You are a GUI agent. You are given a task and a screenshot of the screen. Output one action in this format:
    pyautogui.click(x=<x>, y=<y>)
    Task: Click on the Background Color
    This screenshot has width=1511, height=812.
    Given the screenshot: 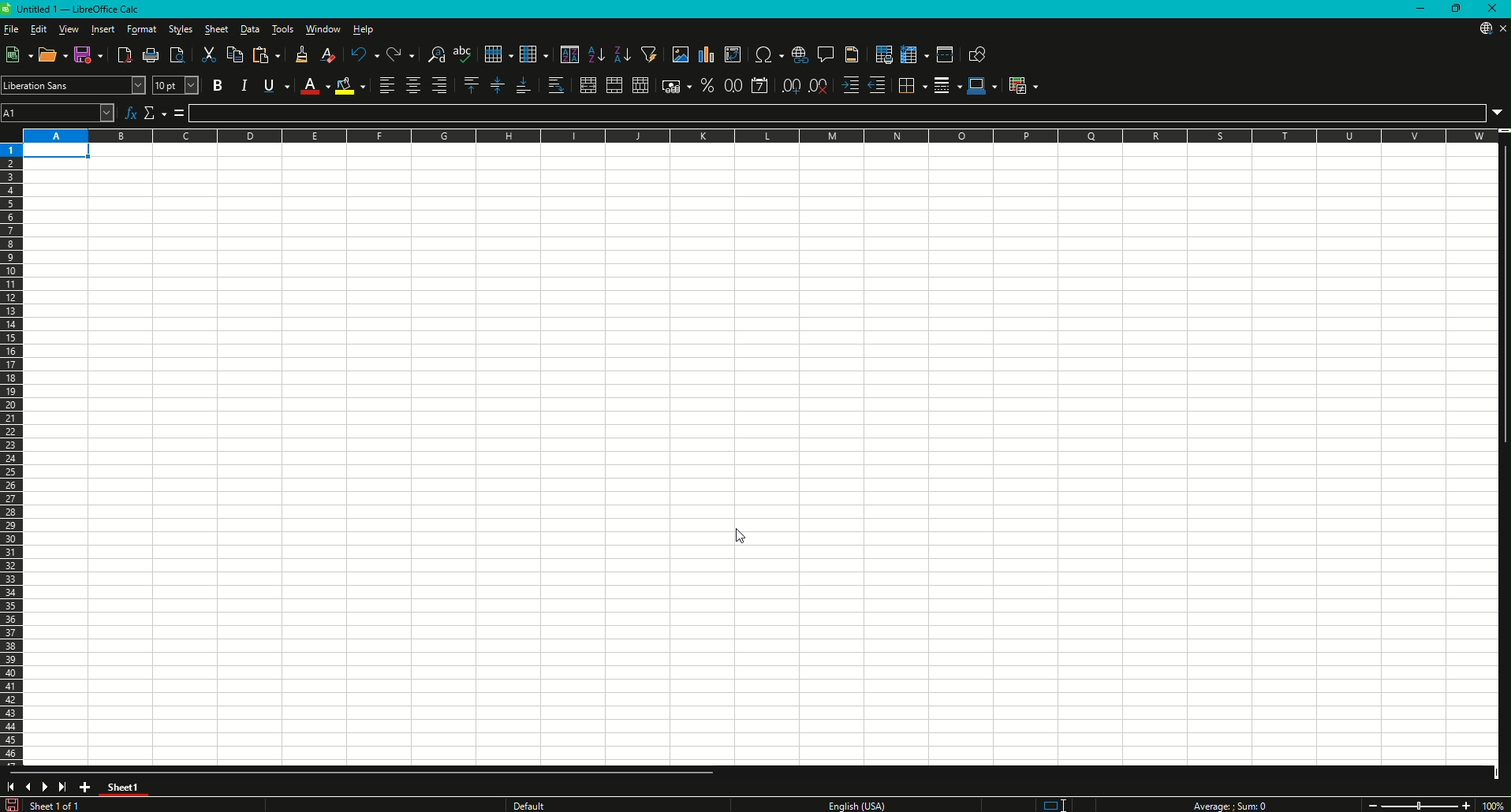 What is the action you would take?
    pyautogui.click(x=350, y=85)
    